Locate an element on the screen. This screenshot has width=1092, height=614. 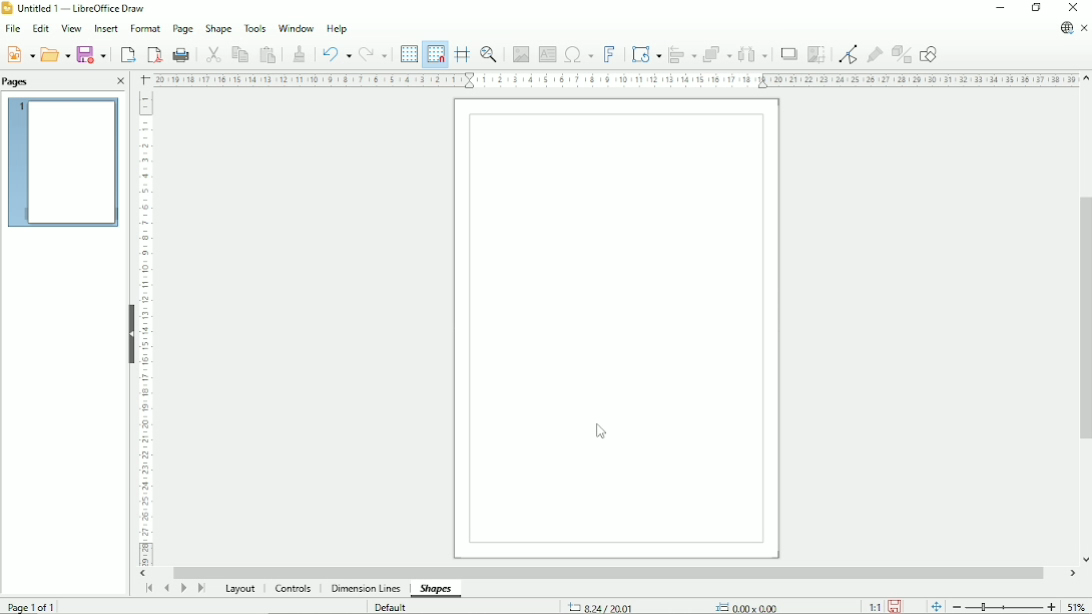
Scaling factor is located at coordinates (874, 606).